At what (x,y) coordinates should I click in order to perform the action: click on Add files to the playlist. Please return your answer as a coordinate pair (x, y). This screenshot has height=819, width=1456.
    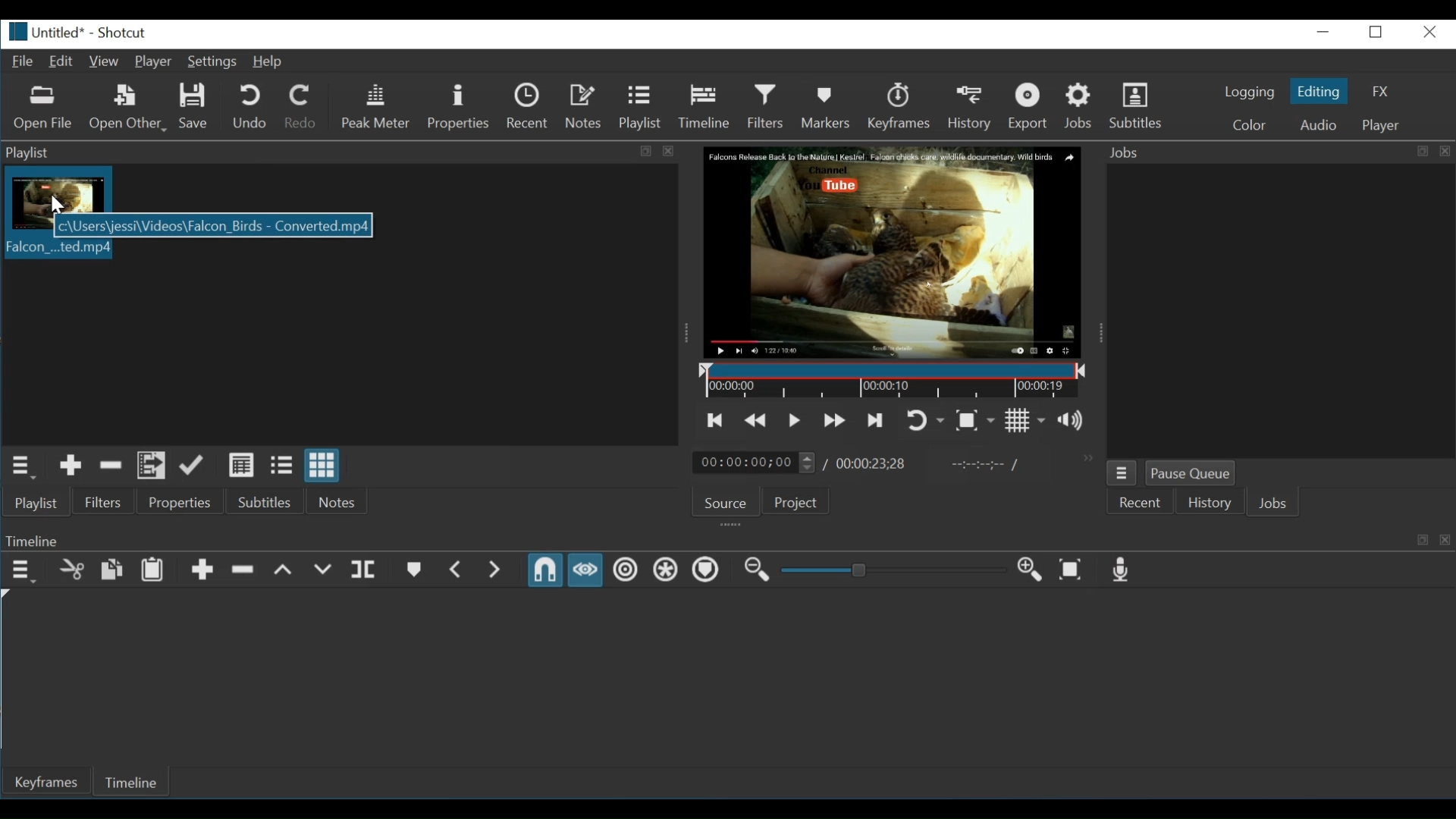
    Looking at the image, I should click on (149, 466).